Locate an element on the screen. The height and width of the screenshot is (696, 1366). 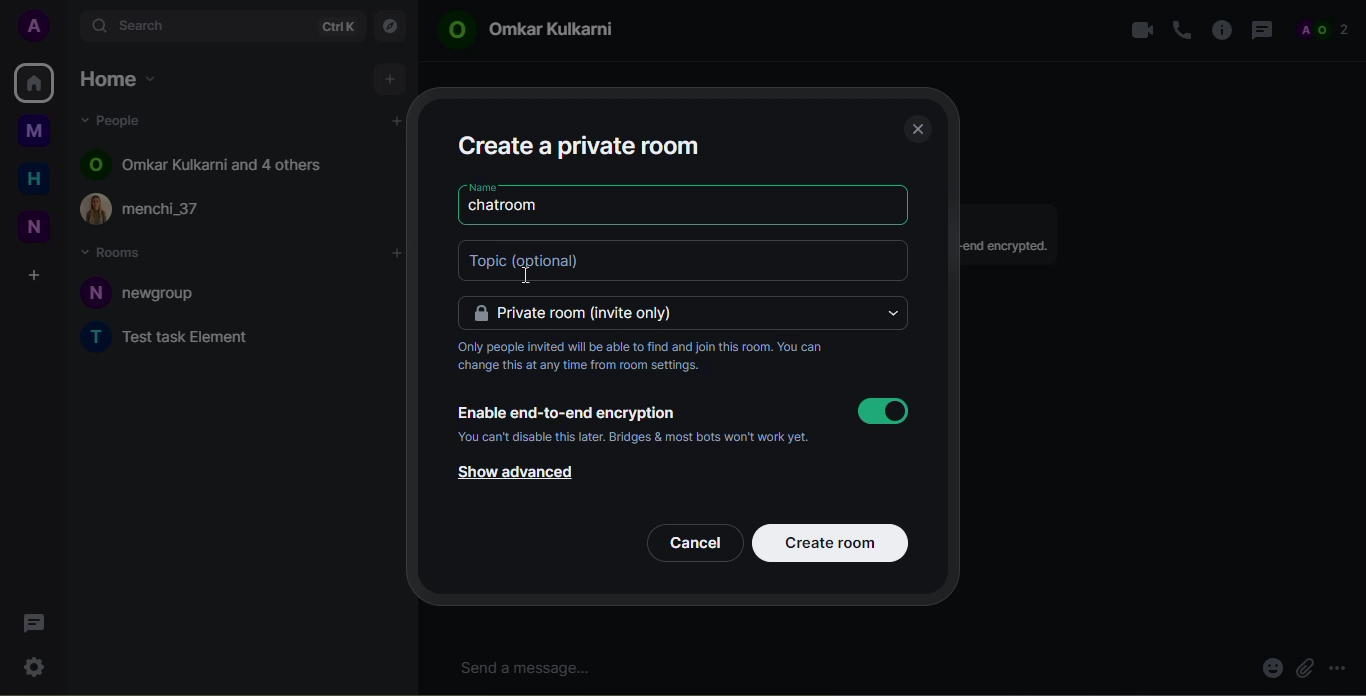
myspace is located at coordinates (34, 130).